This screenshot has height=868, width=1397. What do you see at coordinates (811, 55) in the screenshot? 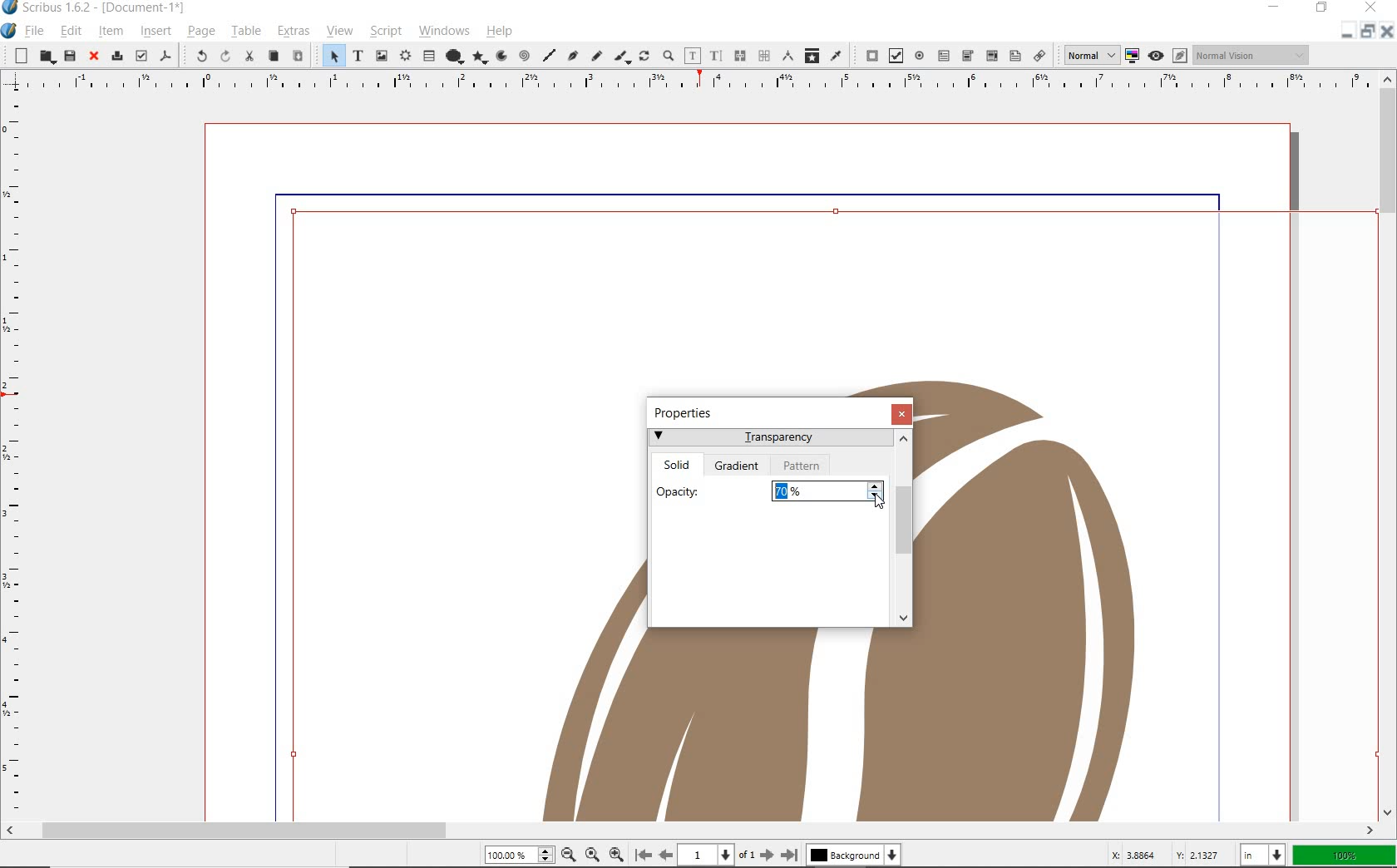
I see `copy item properties` at bounding box center [811, 55].